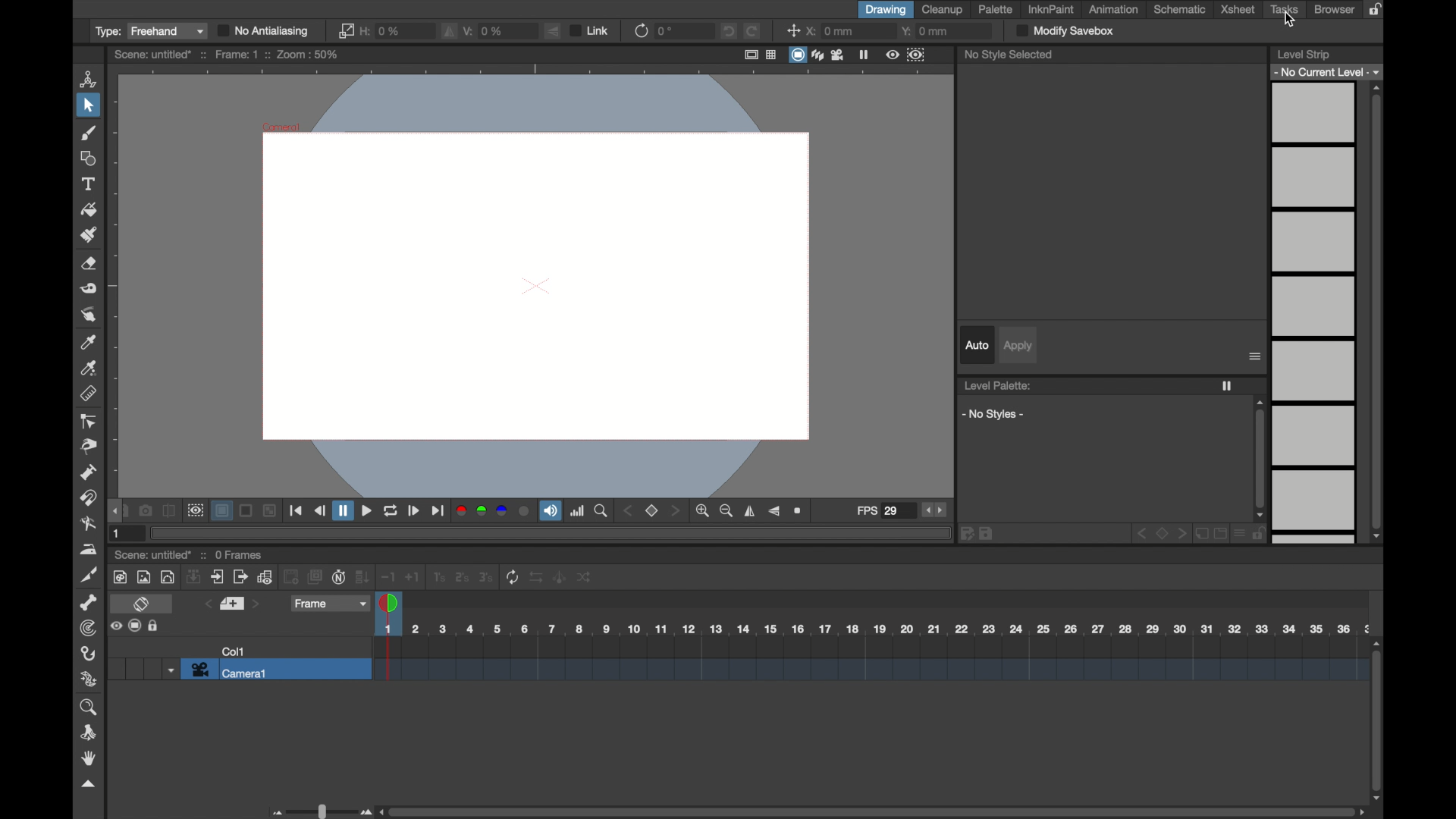  What do you see at coordinates (751, 55) in the screenshot?
I see `safe area` at bounding box center [751, 55].